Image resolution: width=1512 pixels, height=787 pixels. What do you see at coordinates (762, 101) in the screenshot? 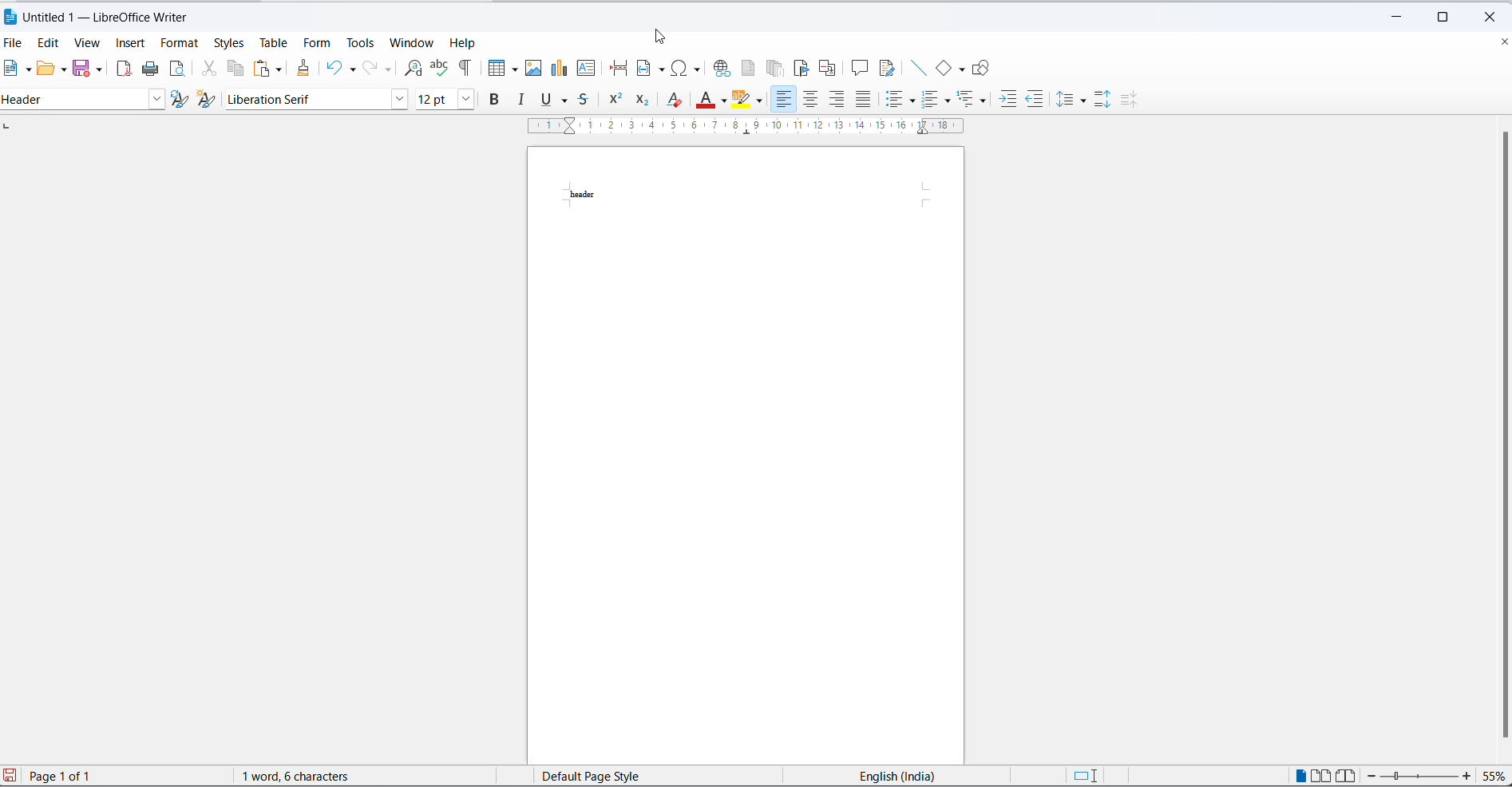
I see `character highlighting options` at bounding box center [762, 101].